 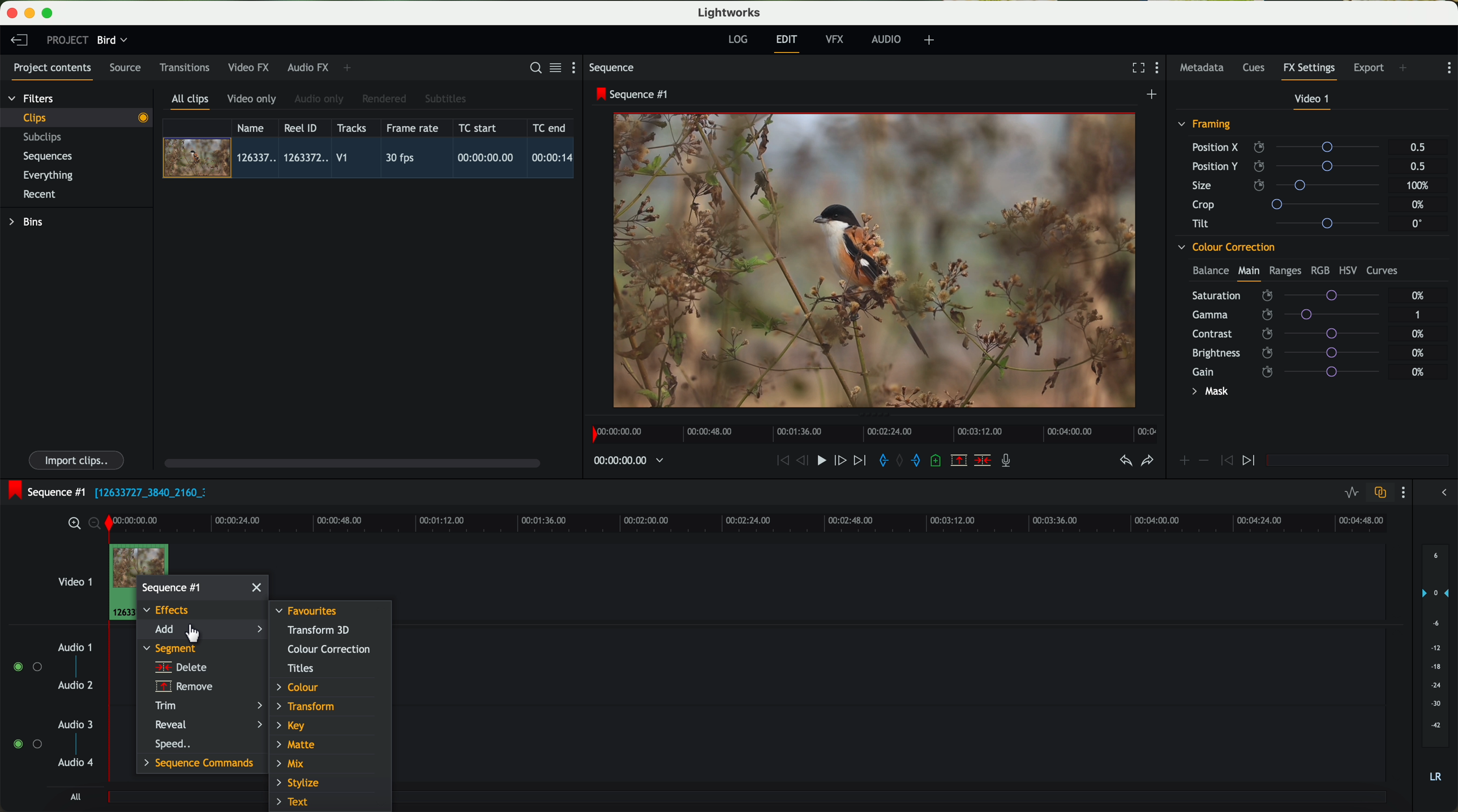 I want to click on Reel ID, so click(x=303, y=127).